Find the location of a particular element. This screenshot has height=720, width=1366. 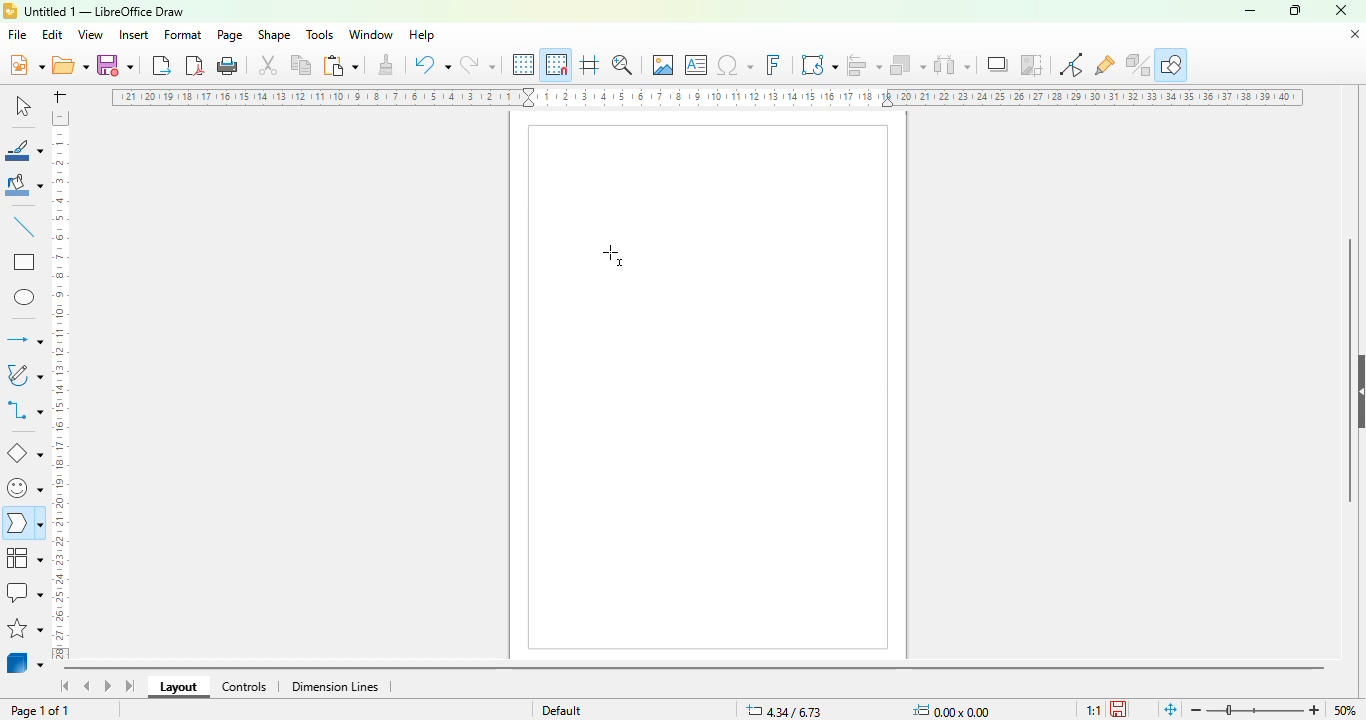

save is located at coordinates (115, 65).